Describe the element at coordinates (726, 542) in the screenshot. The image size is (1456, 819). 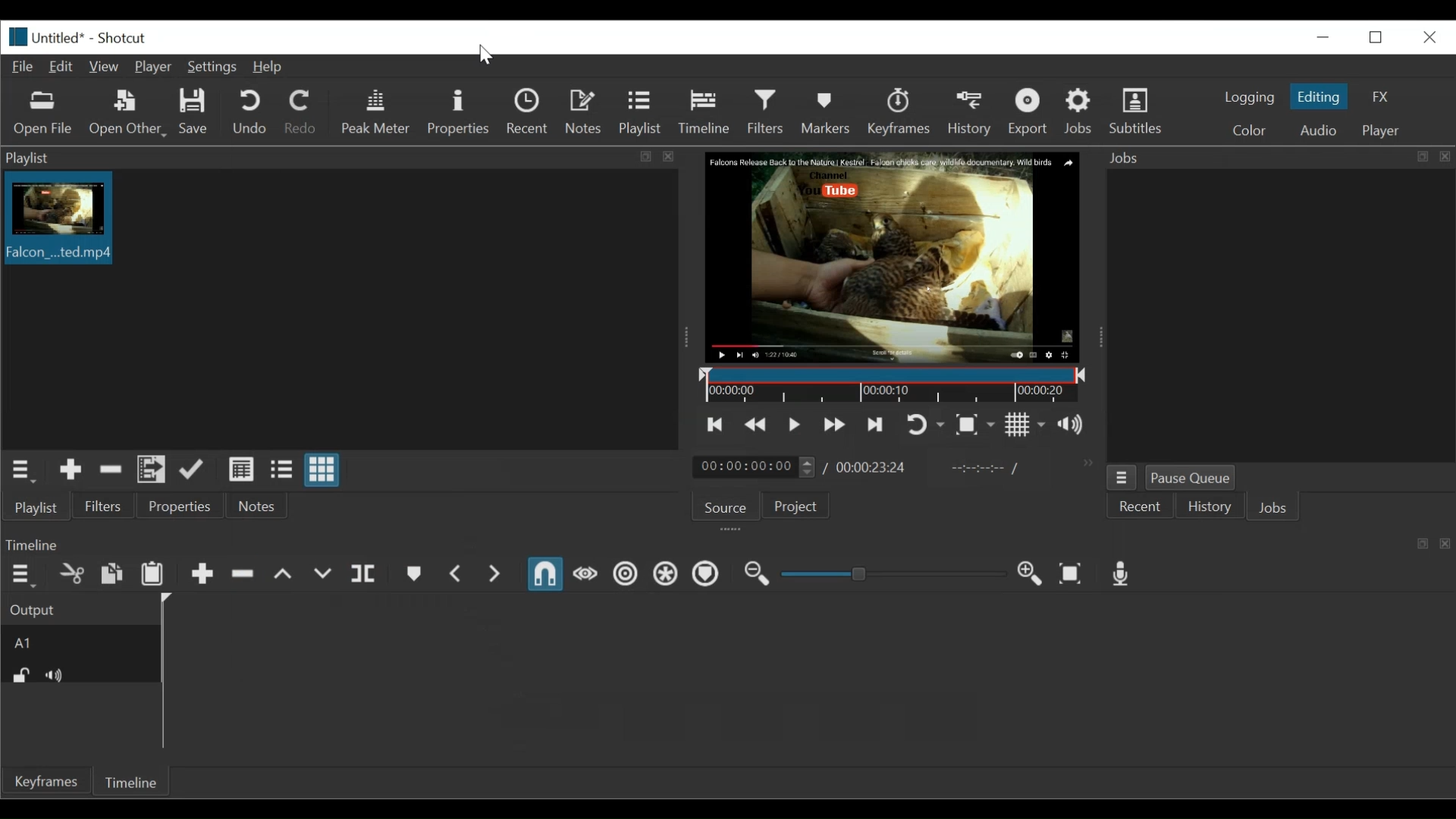
I see `Timeline Panel` at that location.